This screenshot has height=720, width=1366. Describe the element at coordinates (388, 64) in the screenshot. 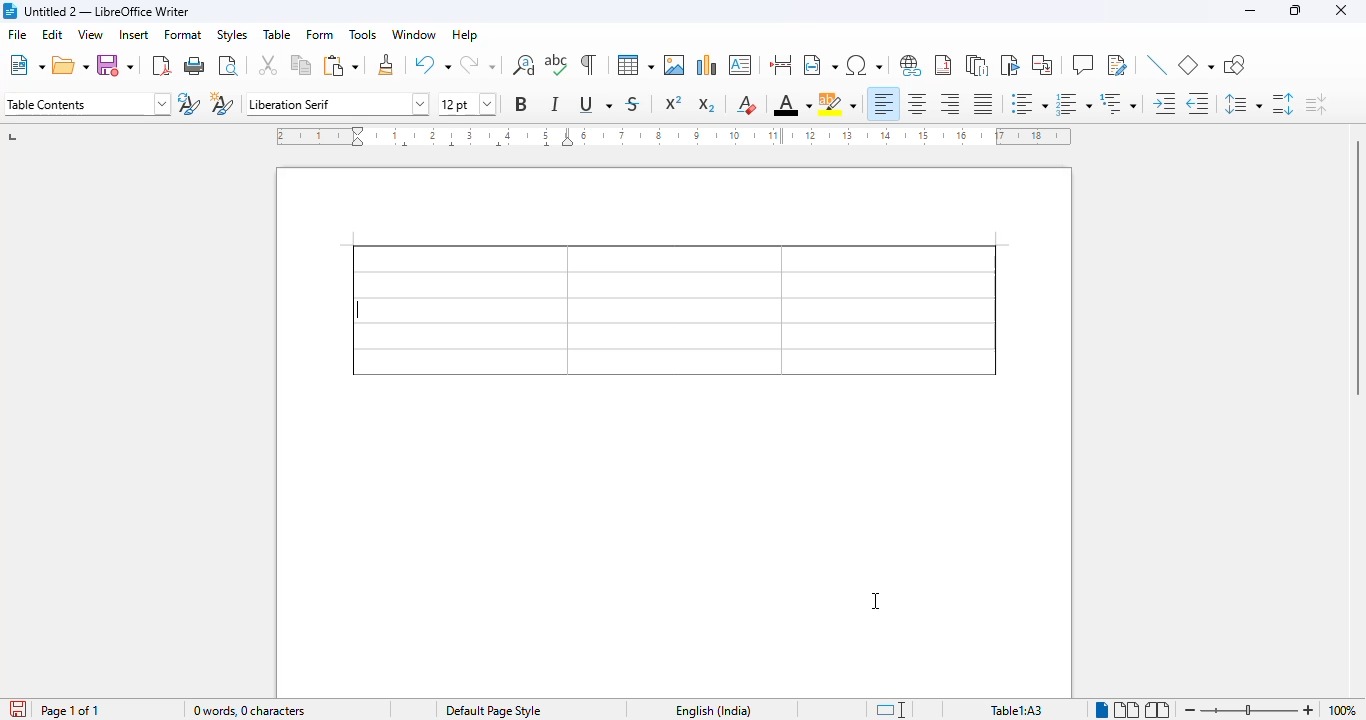

I see `clone formatting` at that location.